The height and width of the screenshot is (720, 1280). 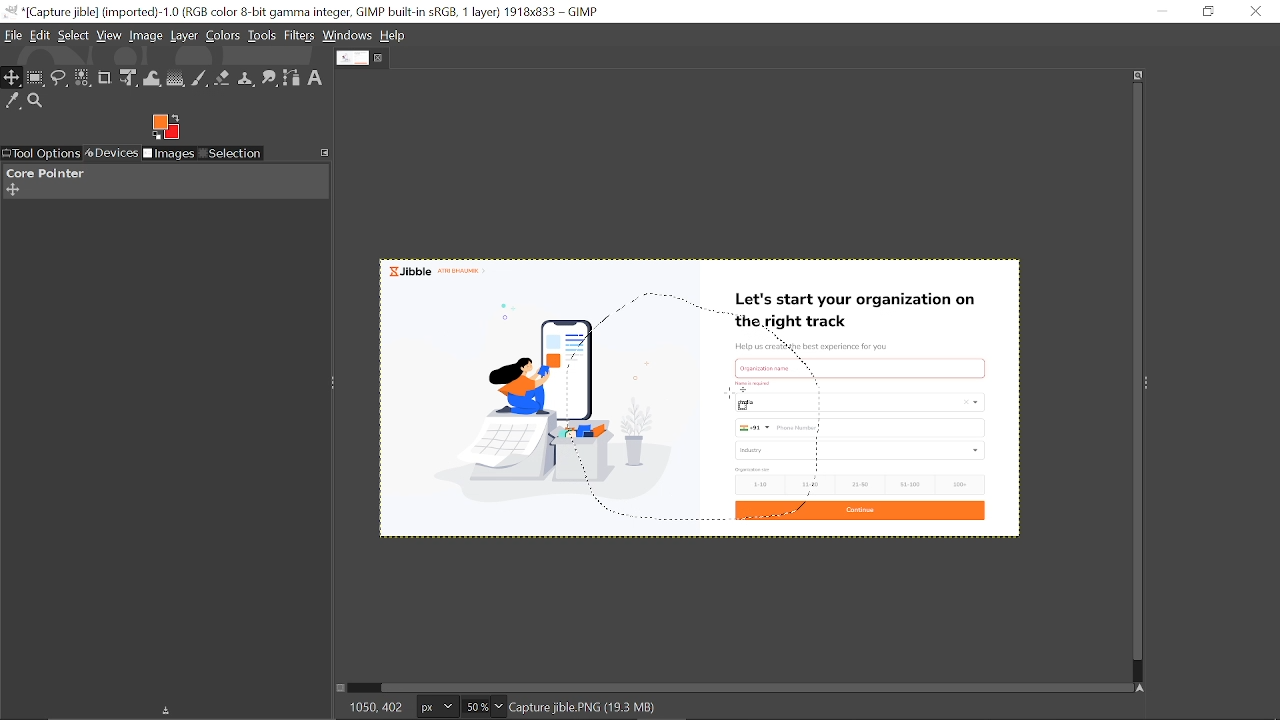 What do you see at coordinates (549, 409) in the screenshot?
I see `Selected part of the image ` at bounding box center [549, 409].